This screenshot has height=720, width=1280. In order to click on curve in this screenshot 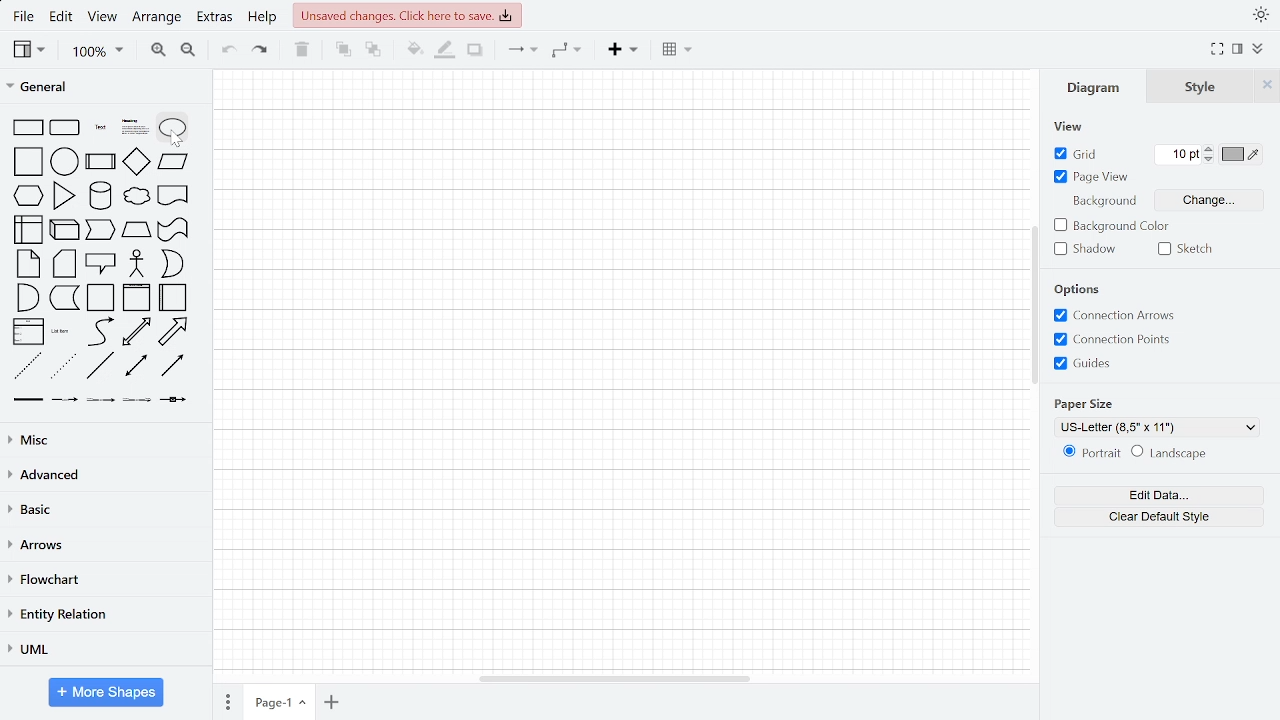, I will do `click(100, 332)`.